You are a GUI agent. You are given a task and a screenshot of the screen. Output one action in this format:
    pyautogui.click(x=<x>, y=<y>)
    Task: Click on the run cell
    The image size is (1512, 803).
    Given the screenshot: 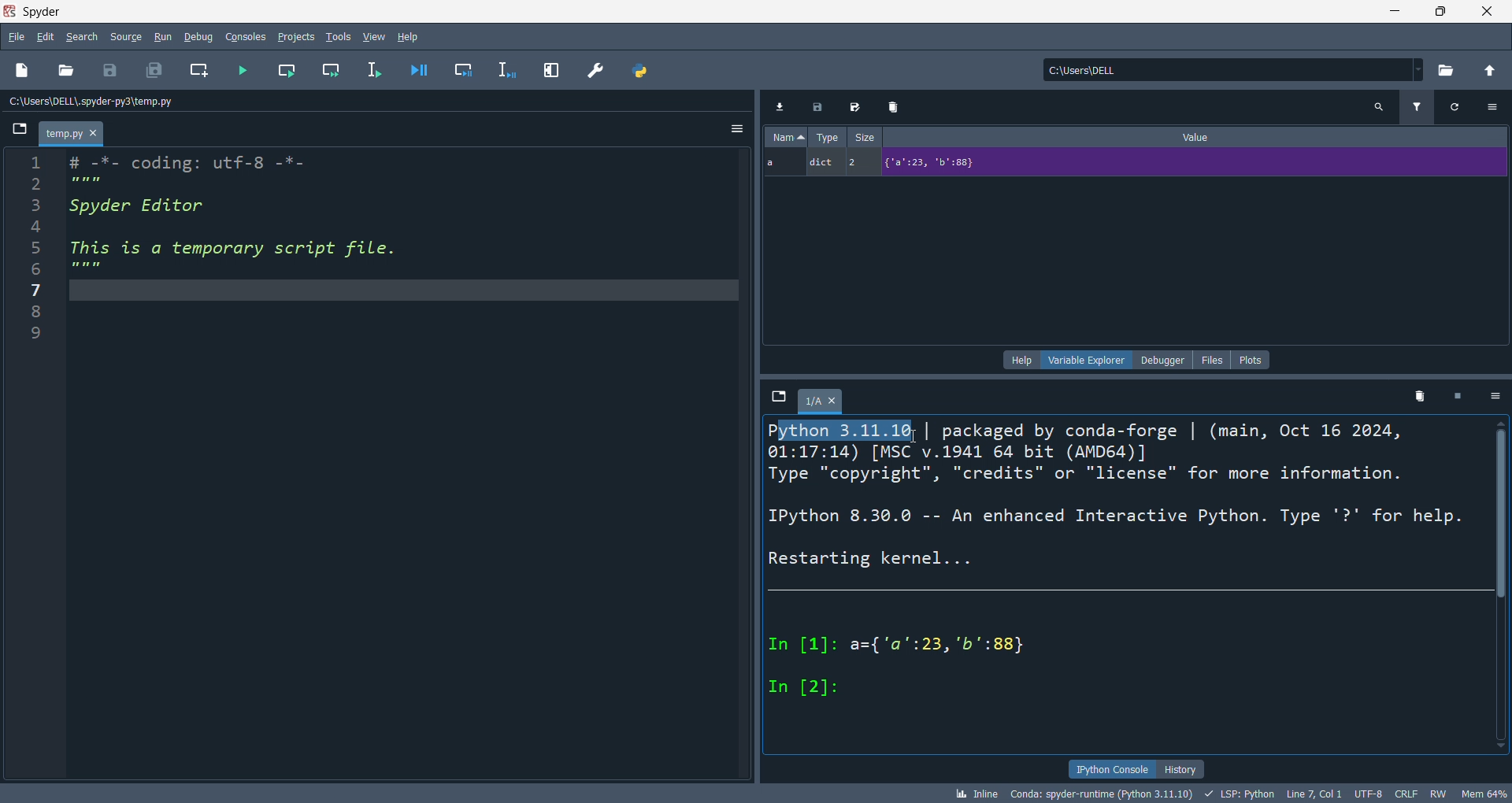 What is the action you would take?
    pyautogui.click(x=291, y=68)
    